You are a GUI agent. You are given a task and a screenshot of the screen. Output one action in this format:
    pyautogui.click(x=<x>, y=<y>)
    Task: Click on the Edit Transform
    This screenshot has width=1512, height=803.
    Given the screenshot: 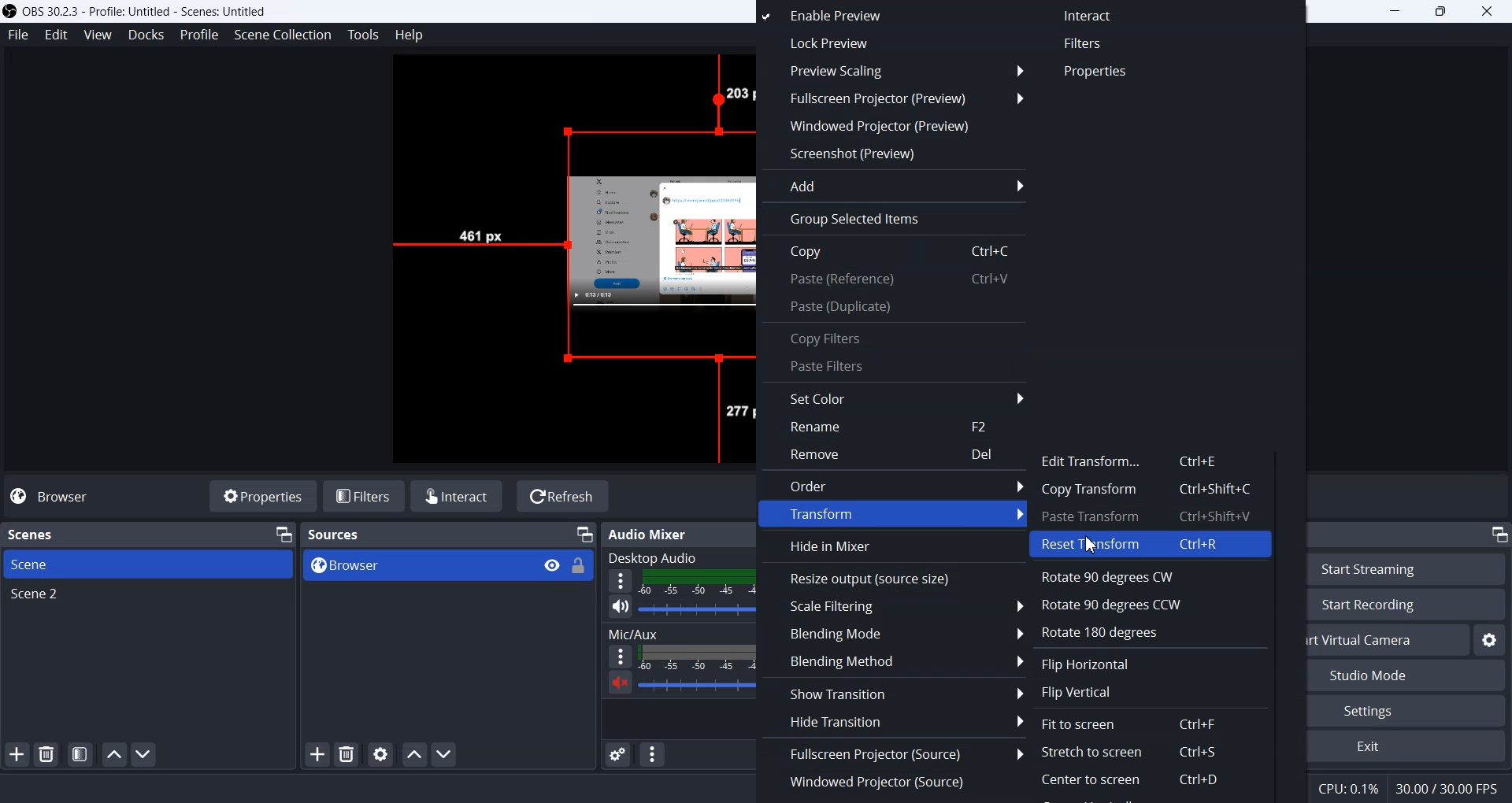 What is the action you would take?
    pyautogui.click(x=1152, y=461)
    